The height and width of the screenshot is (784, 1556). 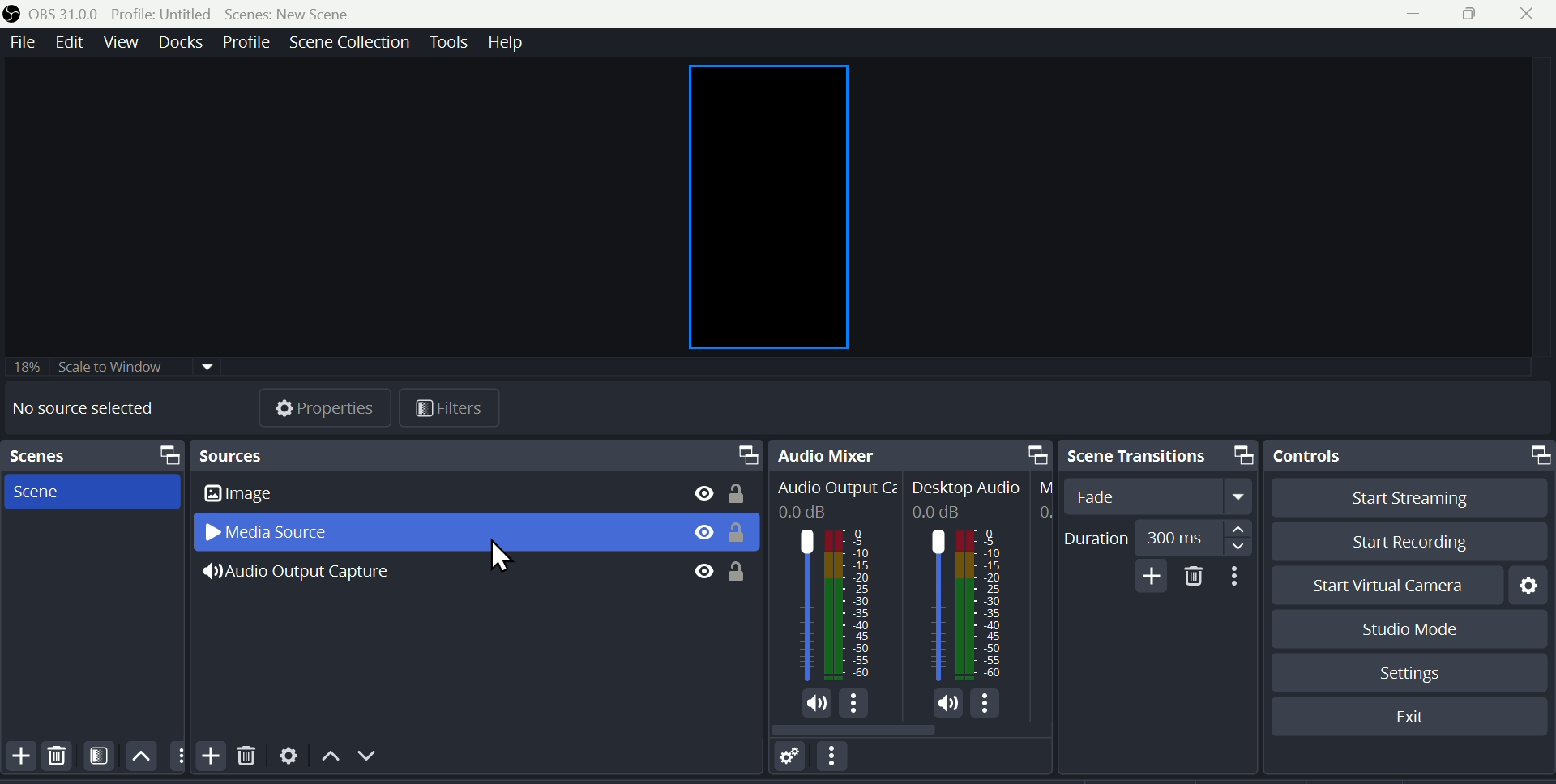 I want to click on Media source, so click(x=281, y=533).